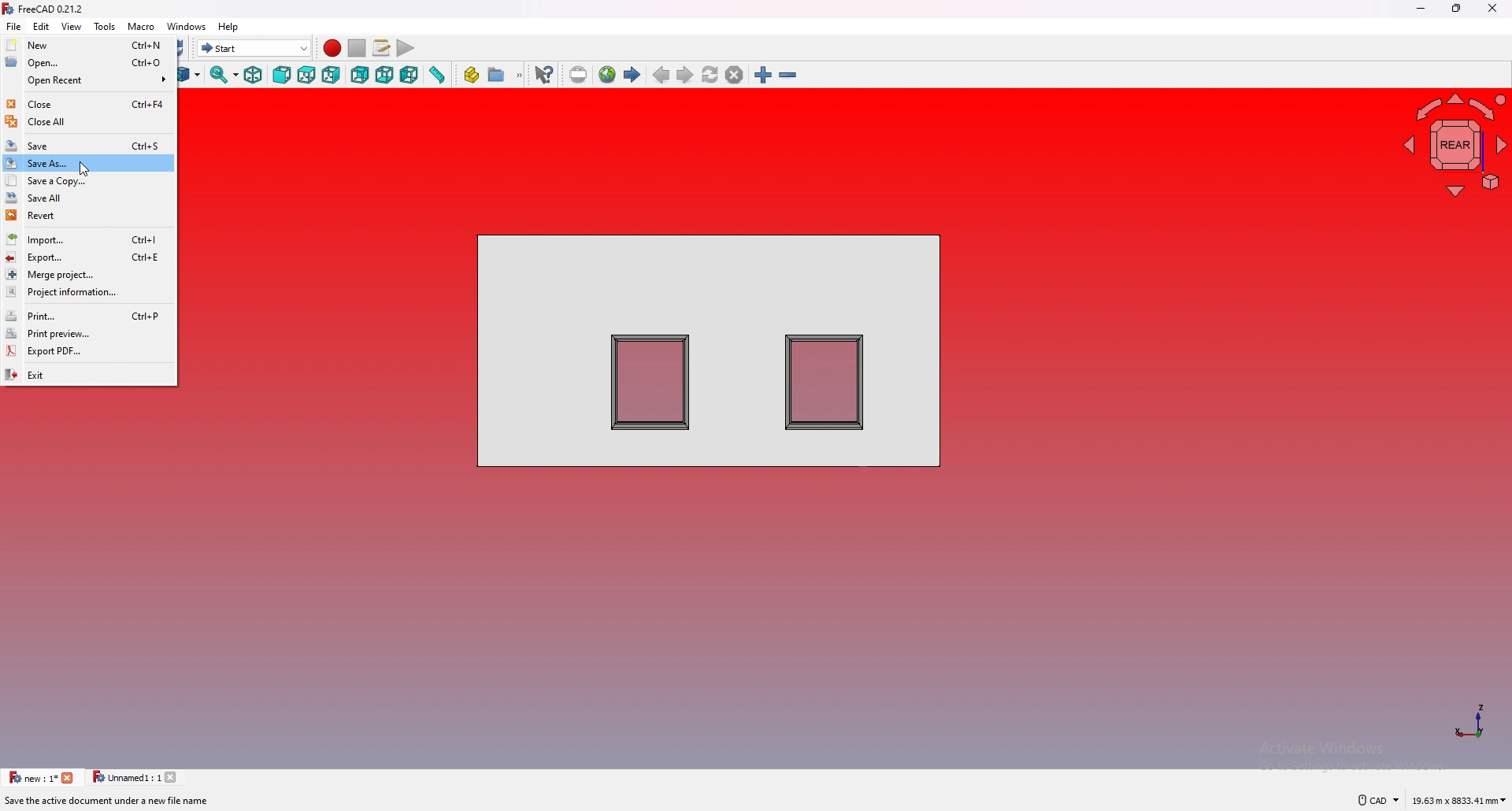 The width and height of the screenshot is (1512, 811). Describe the element at coordinates (87, 274) in the screenshot. I see `merge project` at that location.